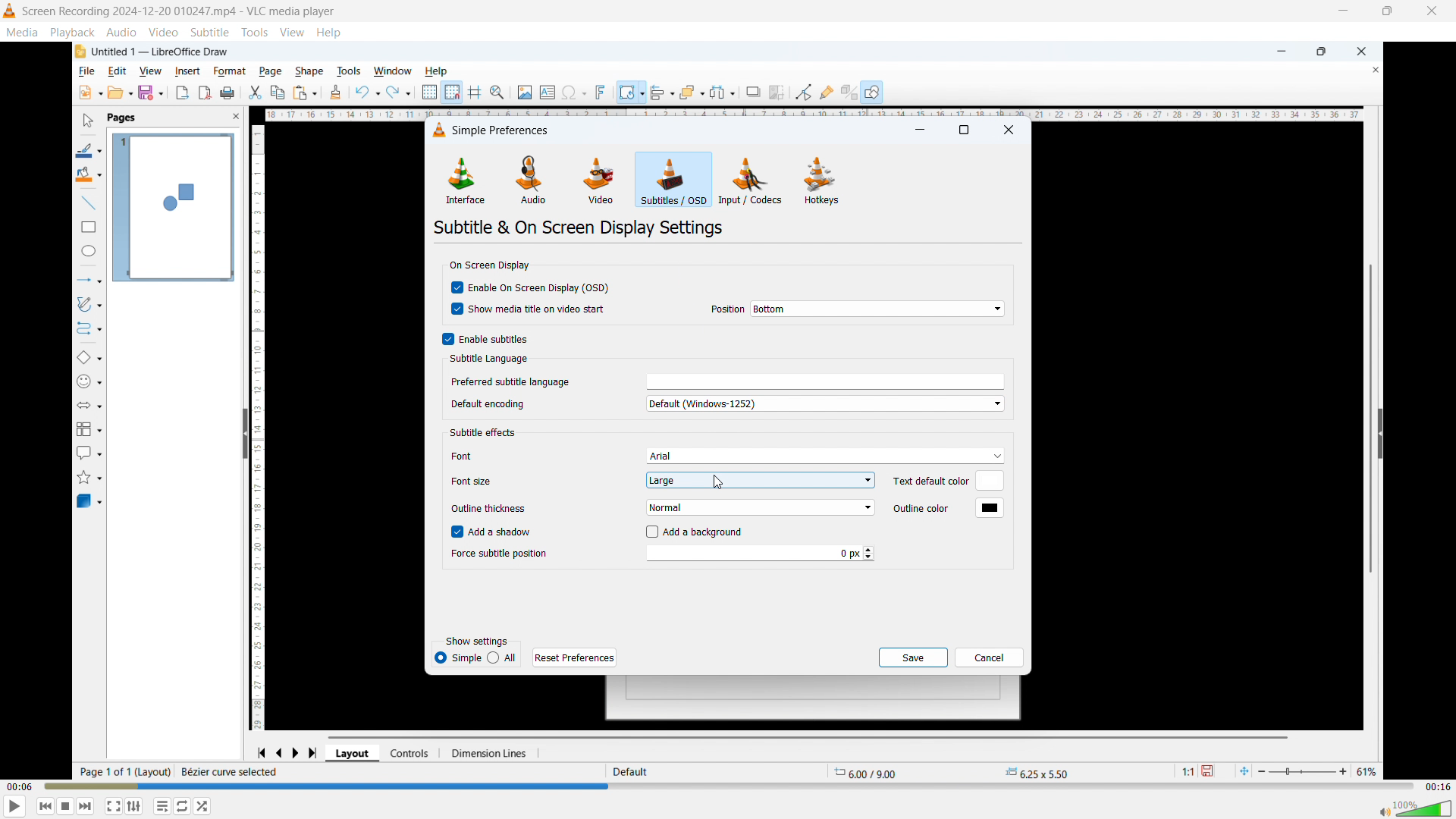  I want to click on play , so click(16, 805).